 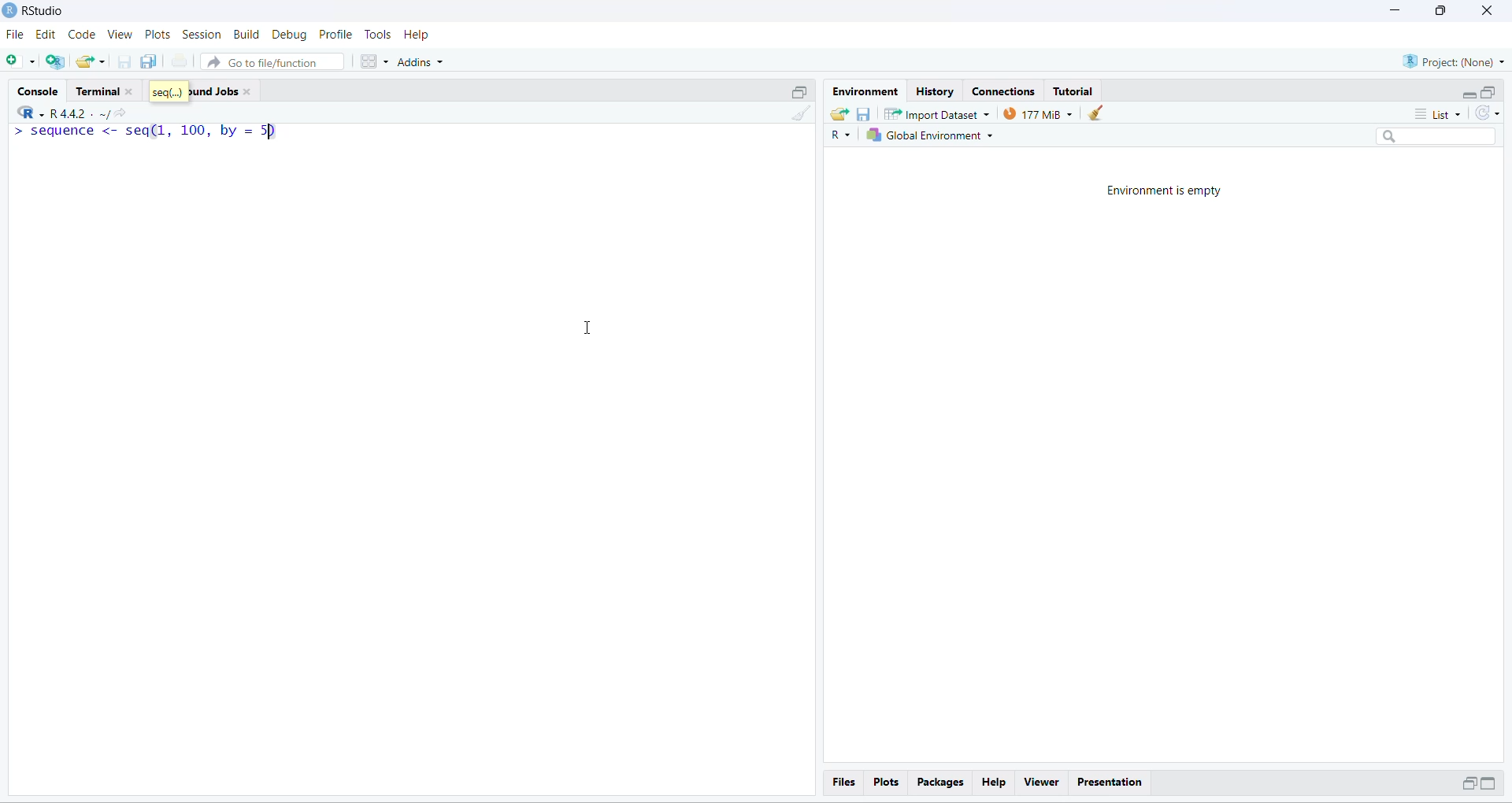 I want to click on R 4.4.2 ~/, so click(x=79, y=114).